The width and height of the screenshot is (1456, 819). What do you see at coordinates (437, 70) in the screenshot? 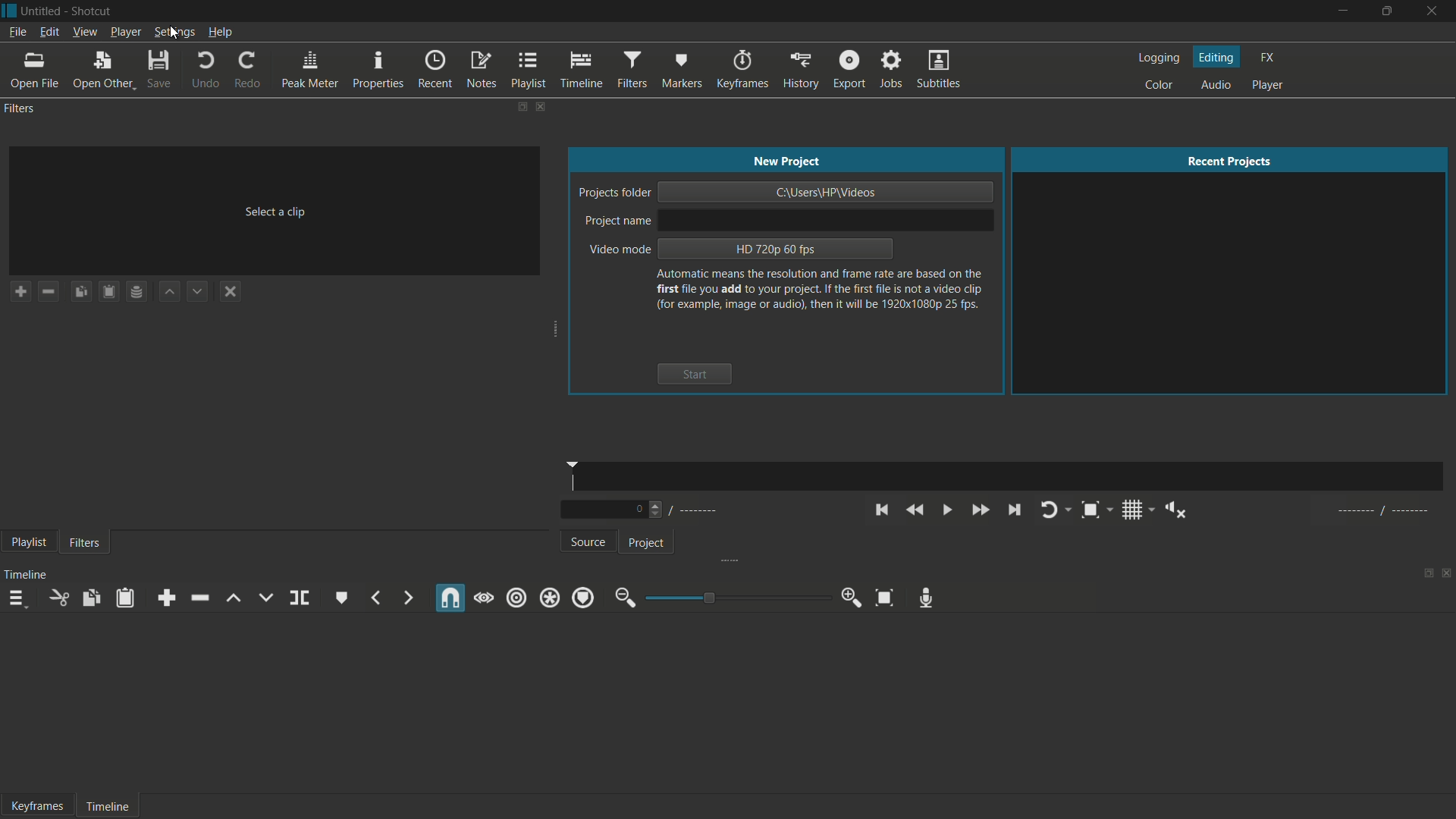
I see `recent` at bounding box center [437, 70].